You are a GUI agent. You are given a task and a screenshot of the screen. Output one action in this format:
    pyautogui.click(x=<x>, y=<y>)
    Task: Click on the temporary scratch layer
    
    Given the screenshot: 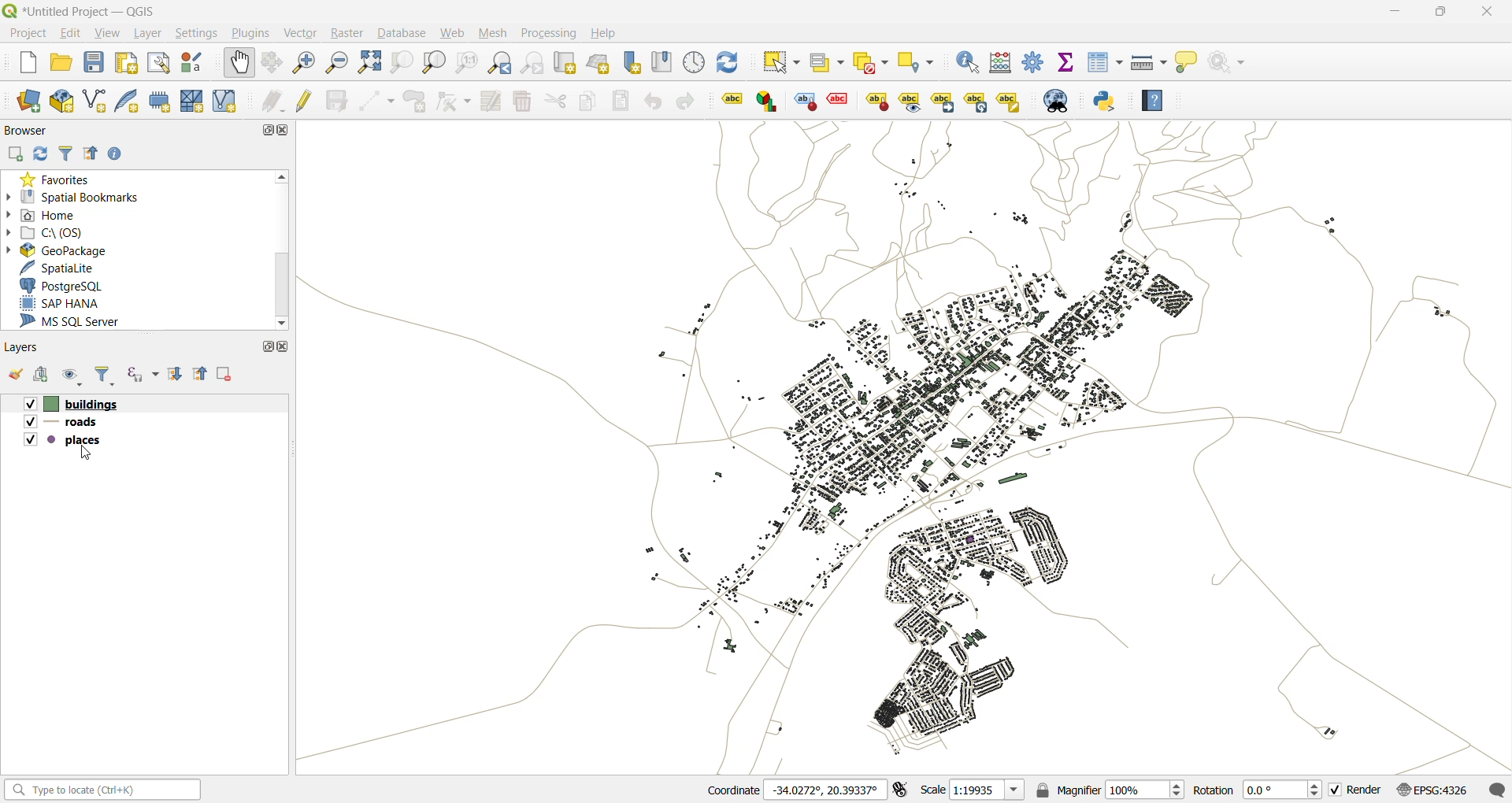 What is the action you would take?
    pyautogui.click(x=161, y=101)
    